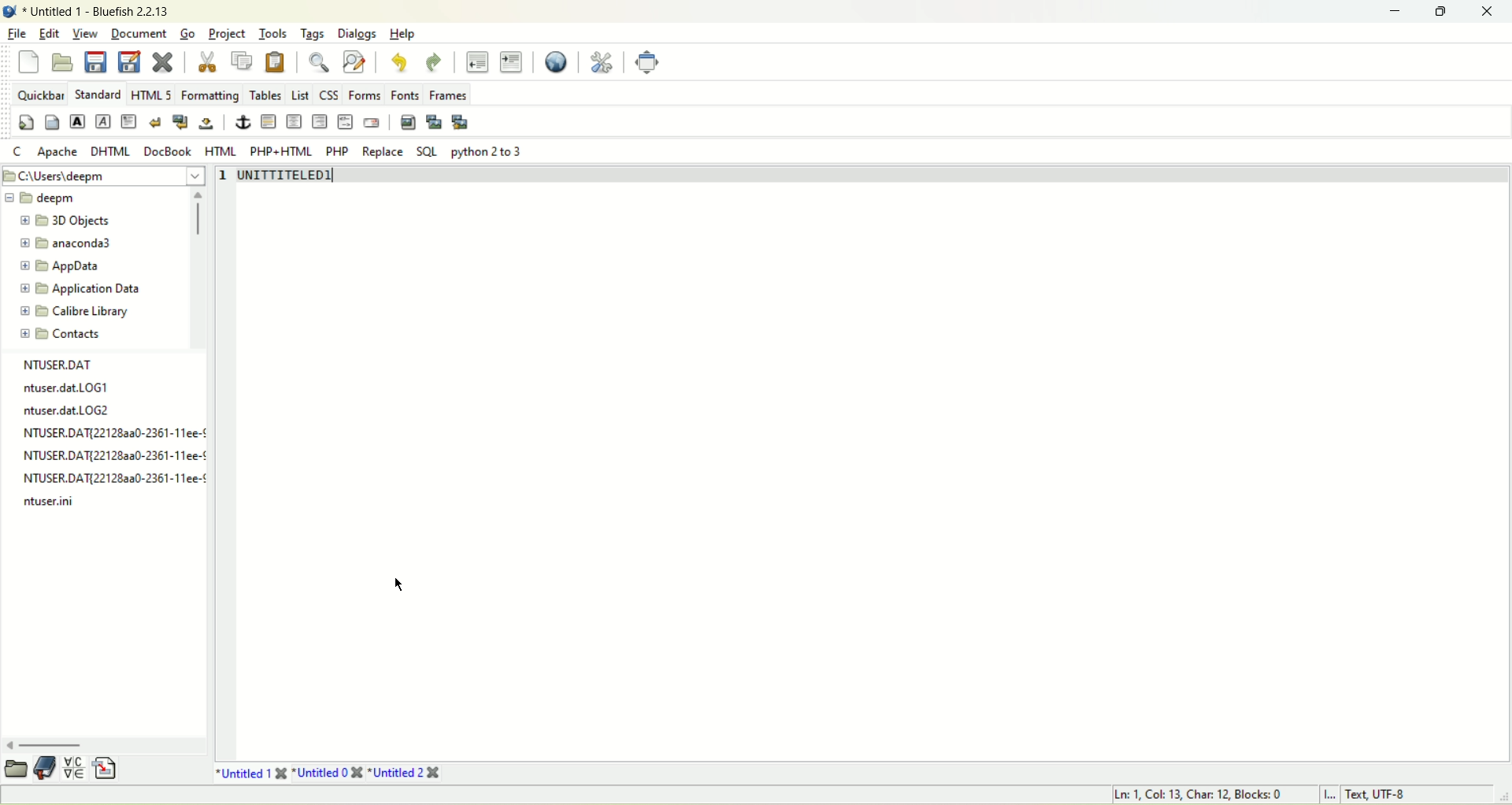 This screenshot has height=805, width=1512. Describe the element at coordinates (343, 122) in the screenshot. I see `HTML comment` at that location.